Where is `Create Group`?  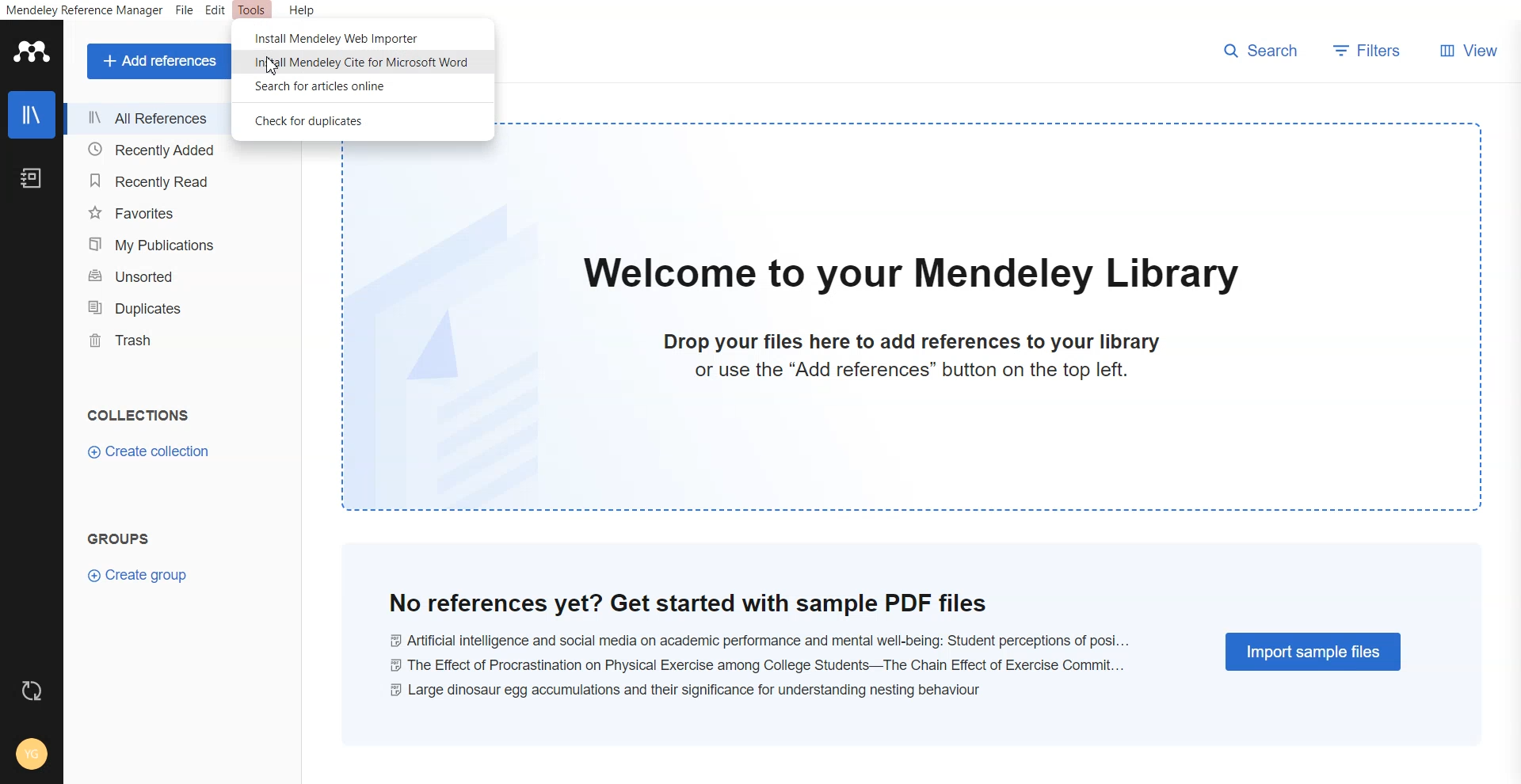
Create Group is located at coordinates (140, 573).